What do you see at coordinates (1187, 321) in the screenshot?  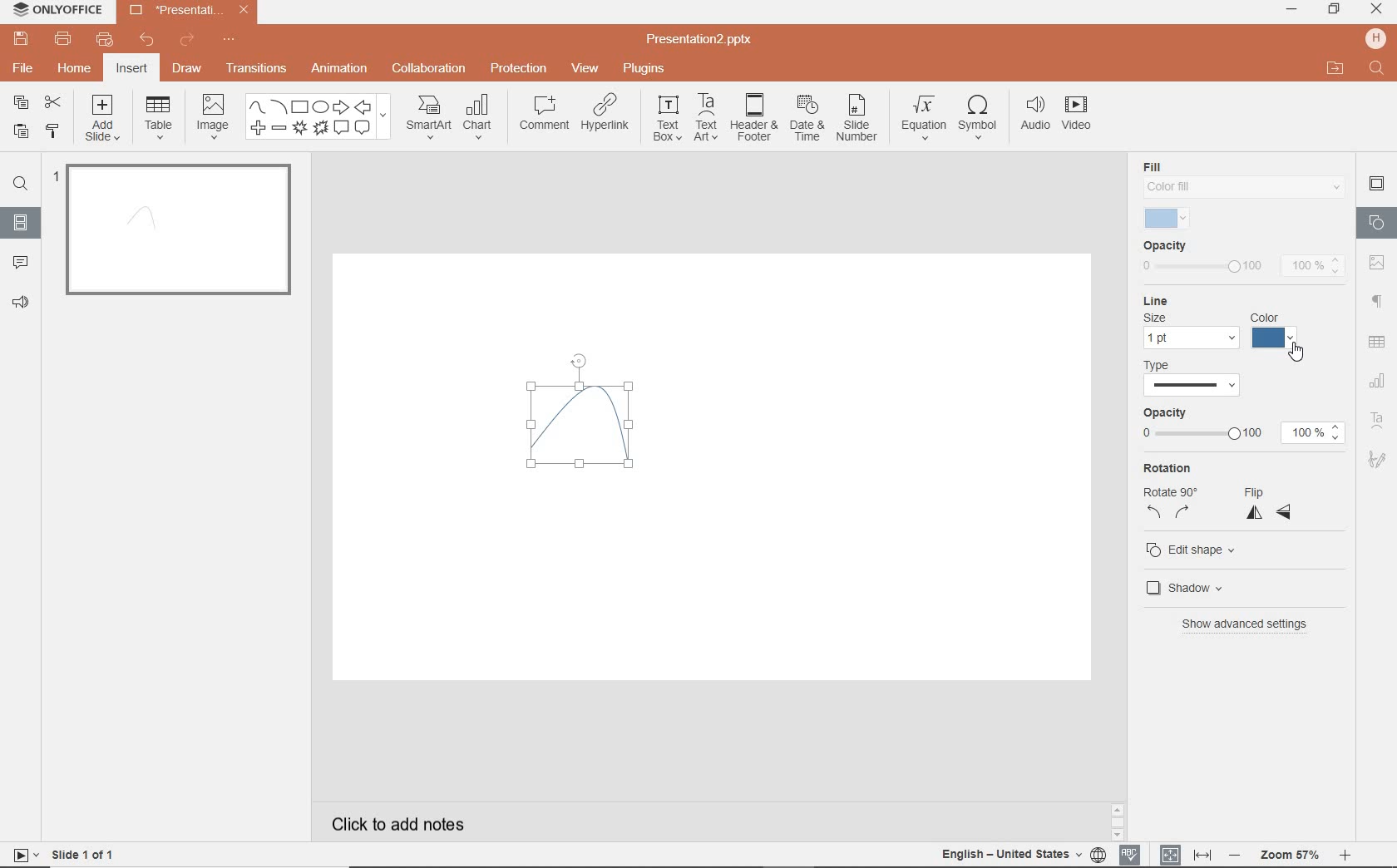 I see `line settings` at bounding box center [1187, 321].